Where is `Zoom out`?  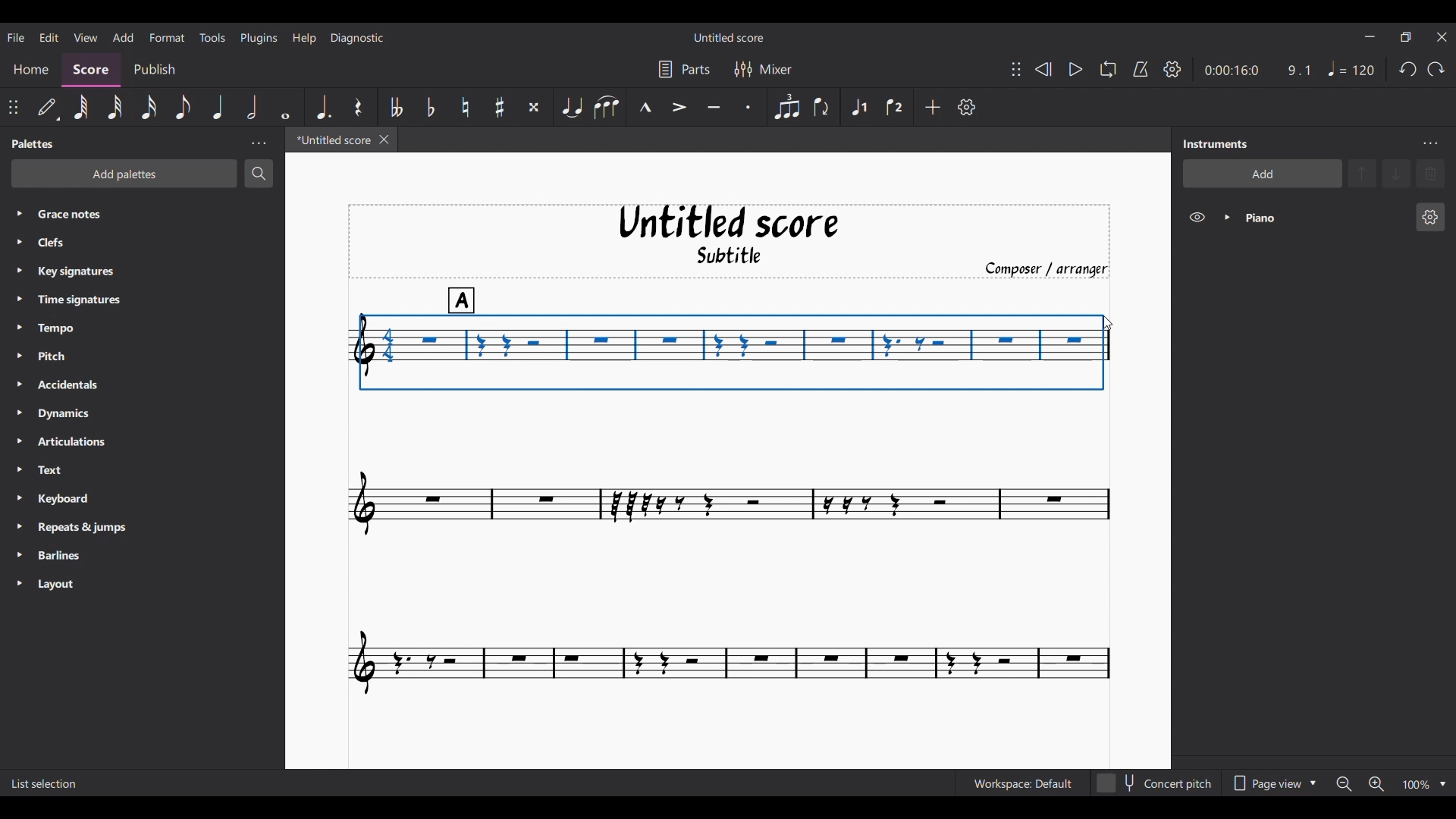 Zoom out is located at coordinates (1344, 785).